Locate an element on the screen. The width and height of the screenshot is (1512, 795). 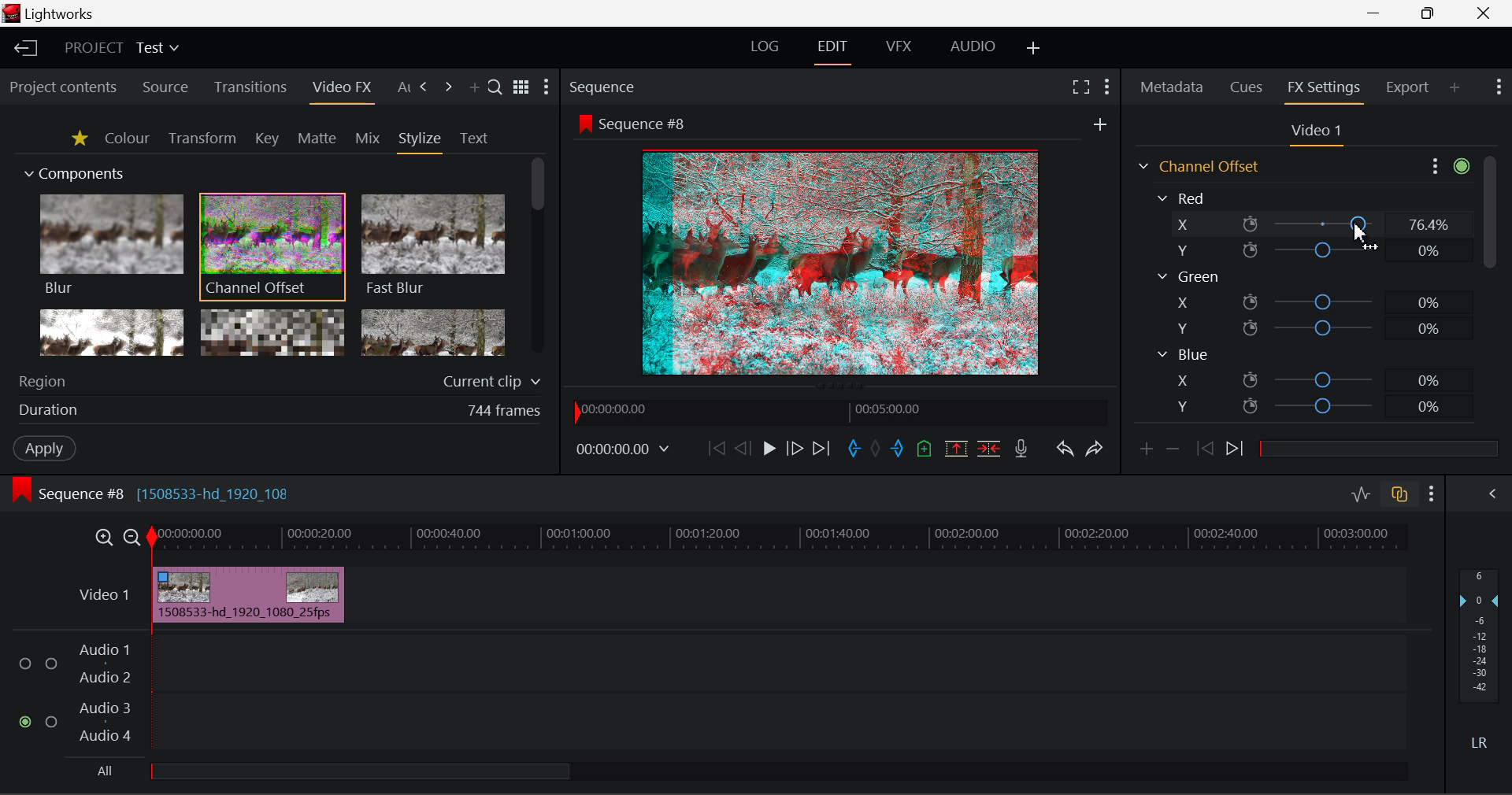
VFX Layout is located at coordinates (899, 50).